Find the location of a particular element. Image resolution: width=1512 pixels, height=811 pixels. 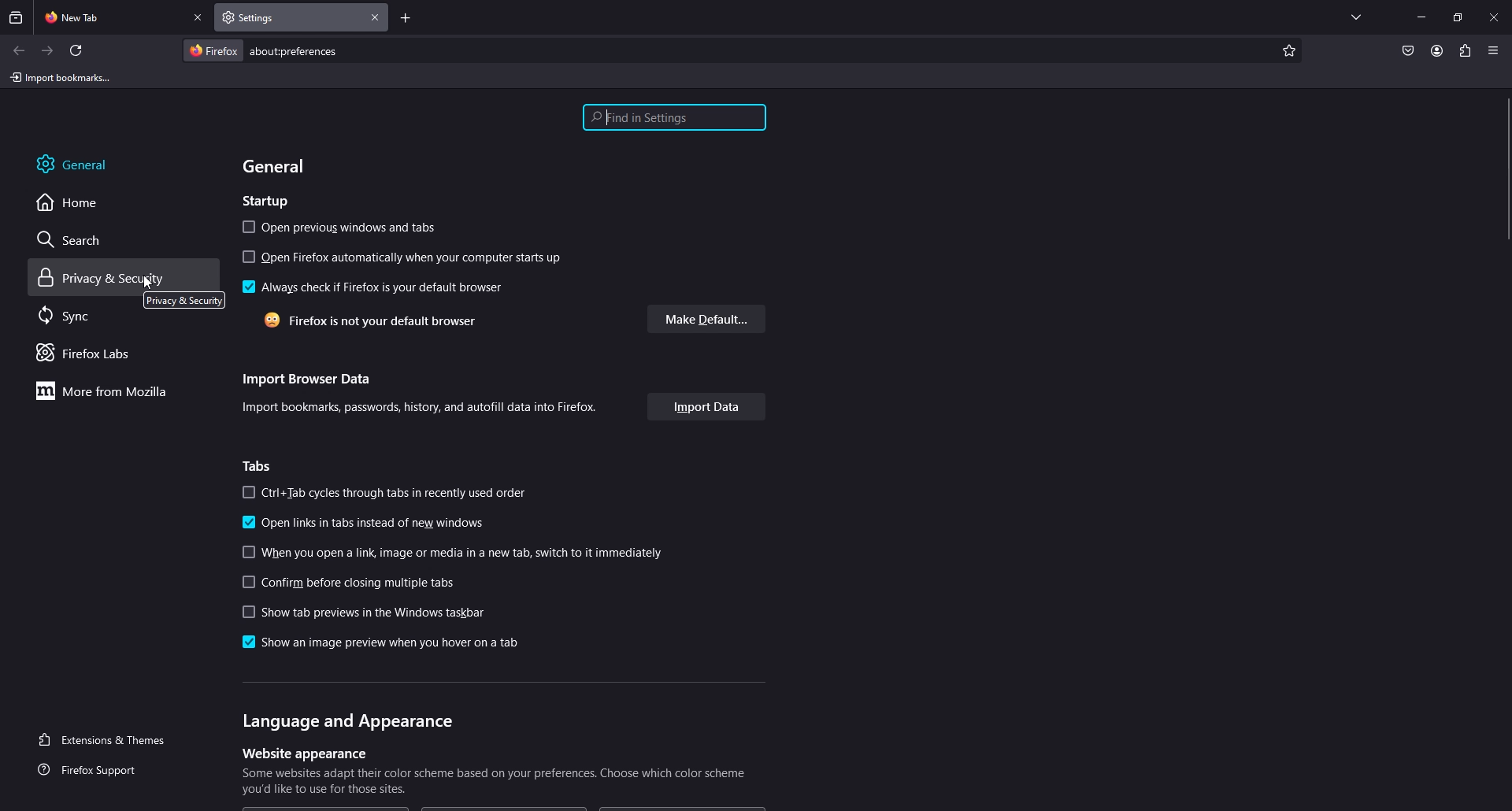

import bookmarks is located at coordinates (64, 76).